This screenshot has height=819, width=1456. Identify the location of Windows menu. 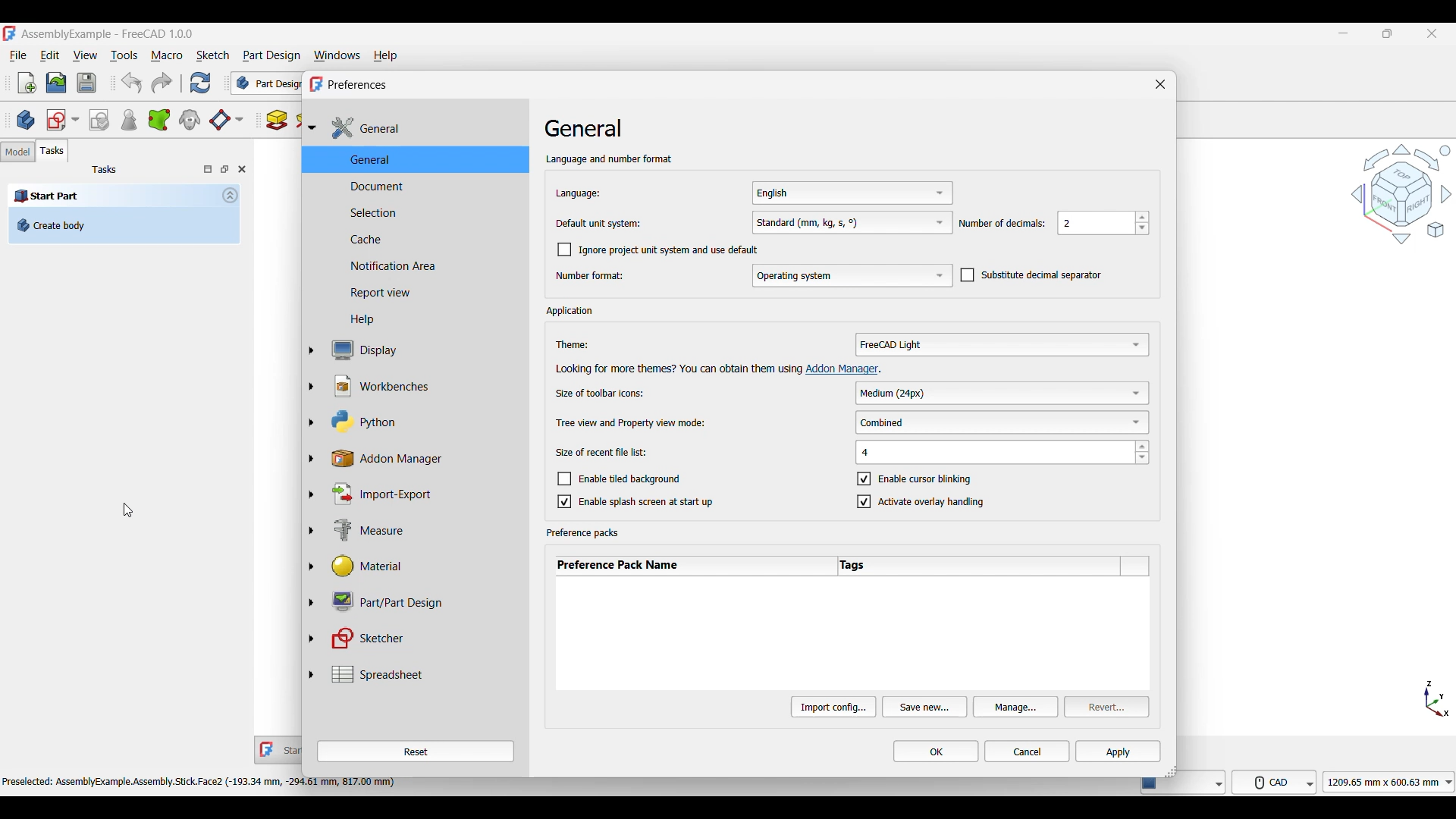
(337, 55).